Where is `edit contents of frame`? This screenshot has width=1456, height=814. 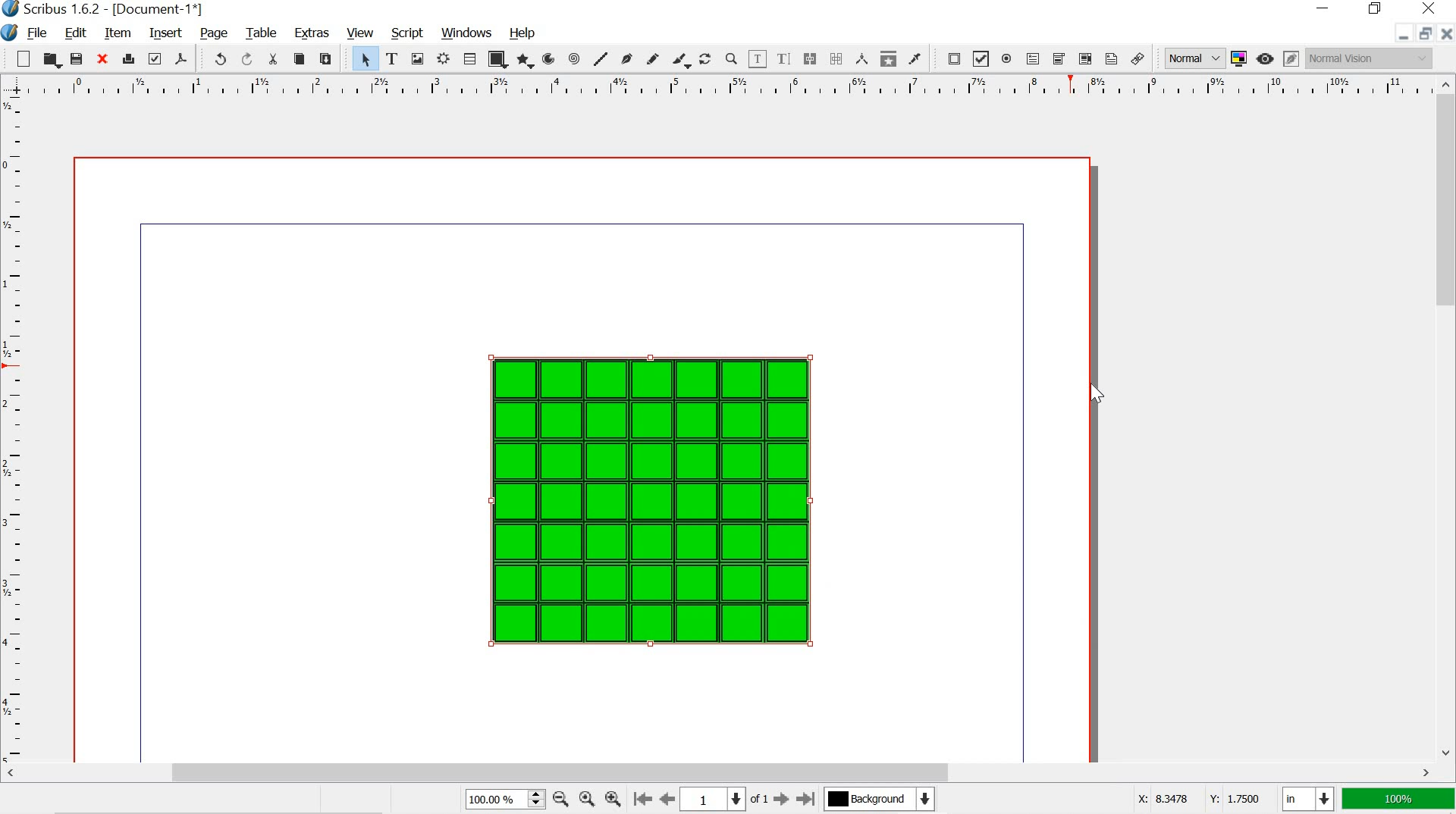 edit contents of frame is located at coordinates (758, 58).